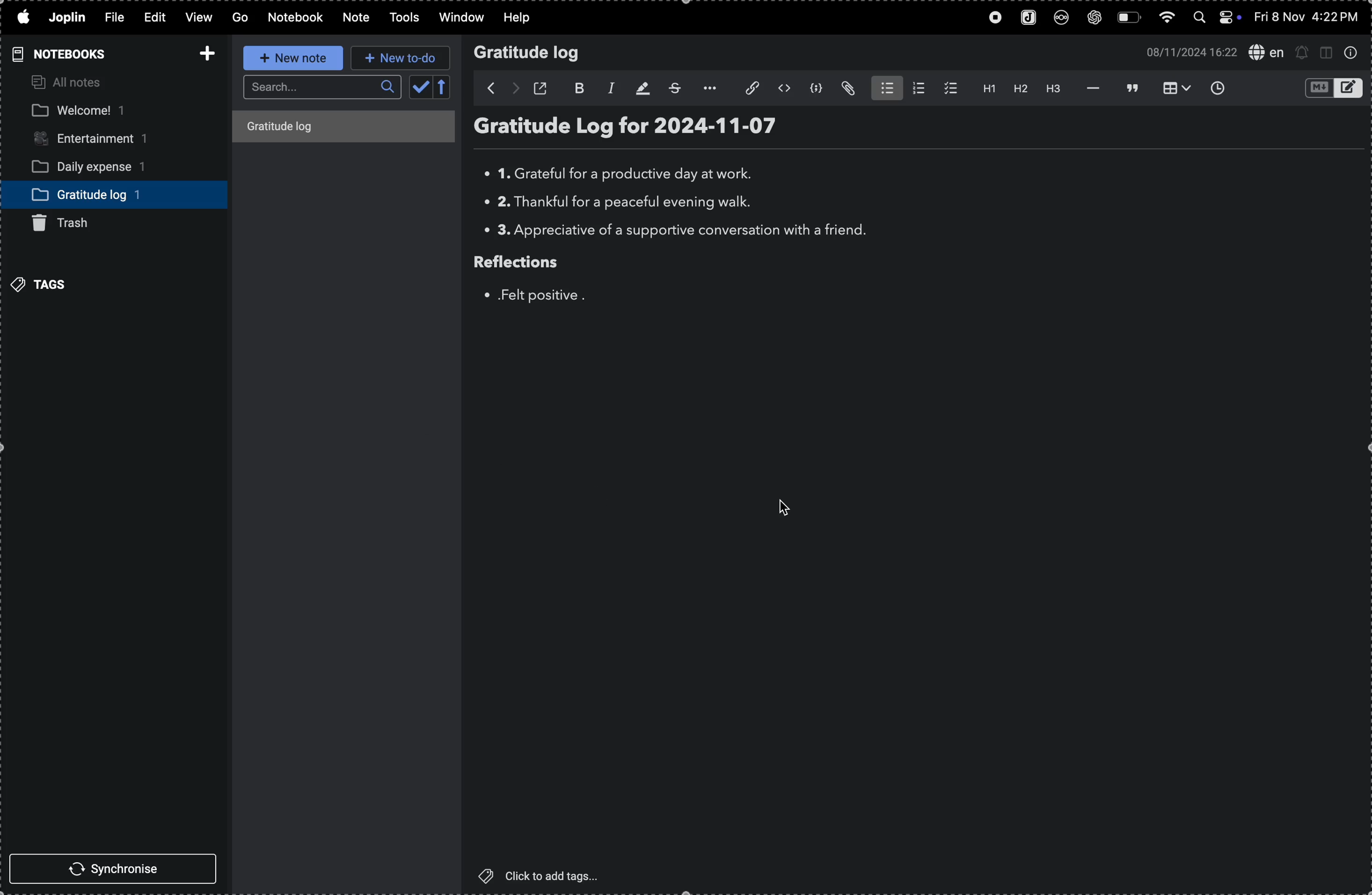  Describe the element at coordinates (711, 88) in the screenshot. I see `option` at that location.